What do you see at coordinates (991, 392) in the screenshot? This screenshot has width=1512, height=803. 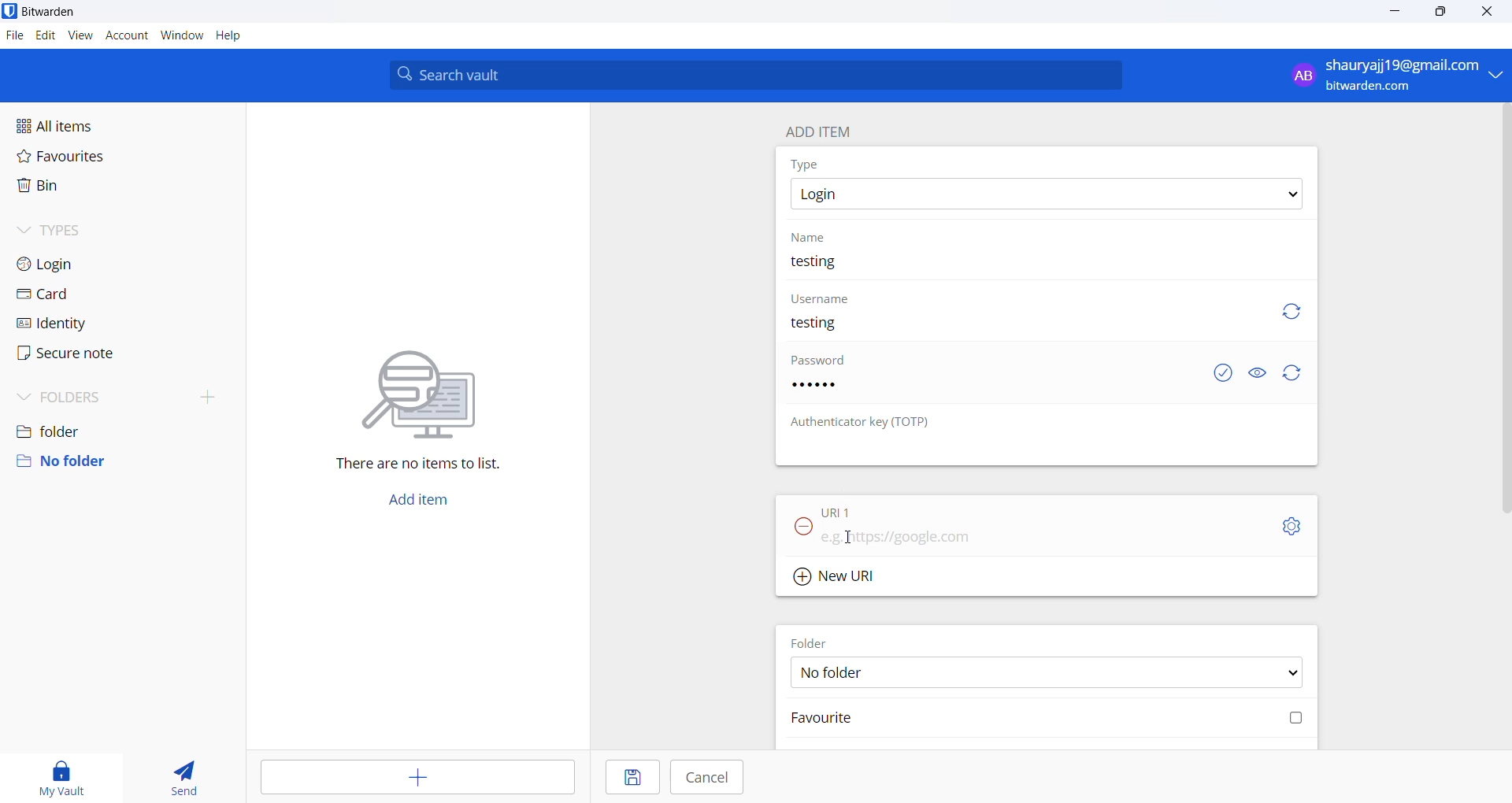 I see `password input box. password added` at bounding box center [991, 392].